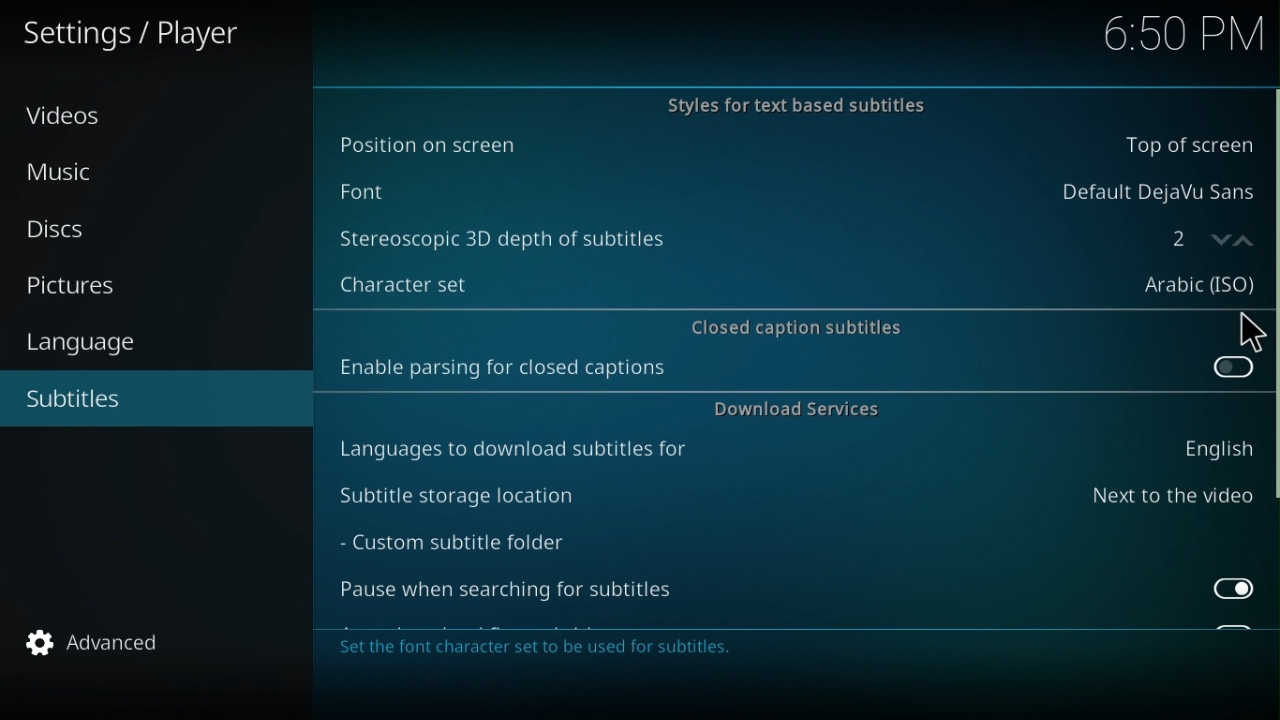 Image resolution: width=1280 pixels, height=720 pixels. Describe the element at coordinates (79, 172) in the screenshot. I see `Music` at that location.